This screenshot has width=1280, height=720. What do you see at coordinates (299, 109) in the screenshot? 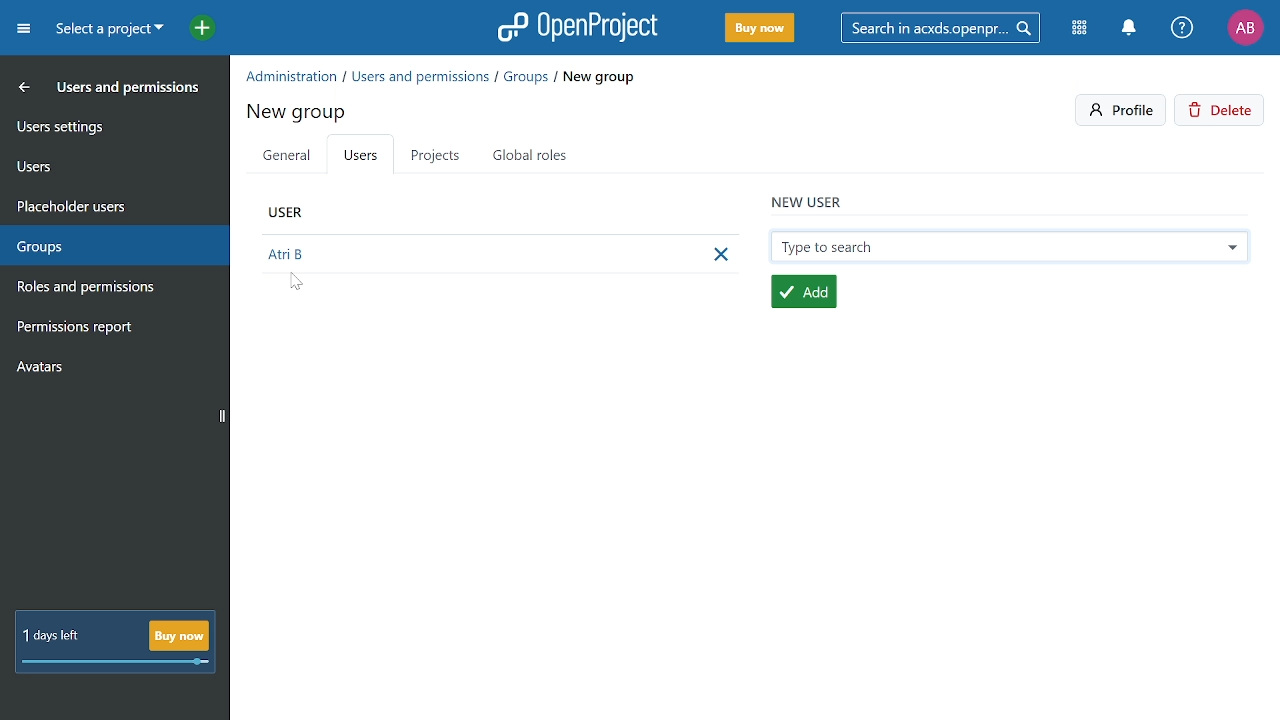
I see `new group` at bounding box center [299, 109].